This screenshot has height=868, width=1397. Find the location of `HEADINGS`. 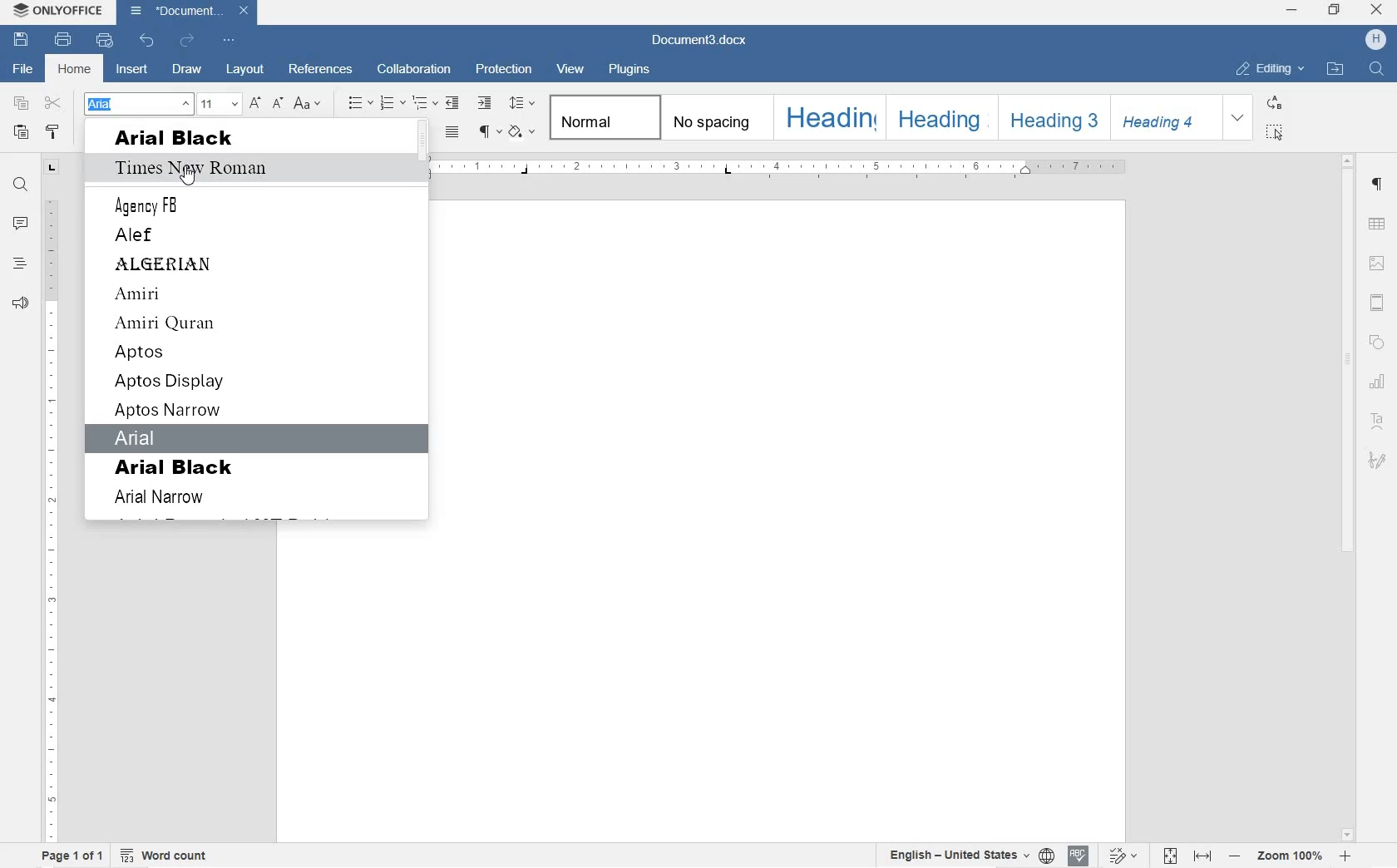

HEADINGS is located at coordinates (19, 264).